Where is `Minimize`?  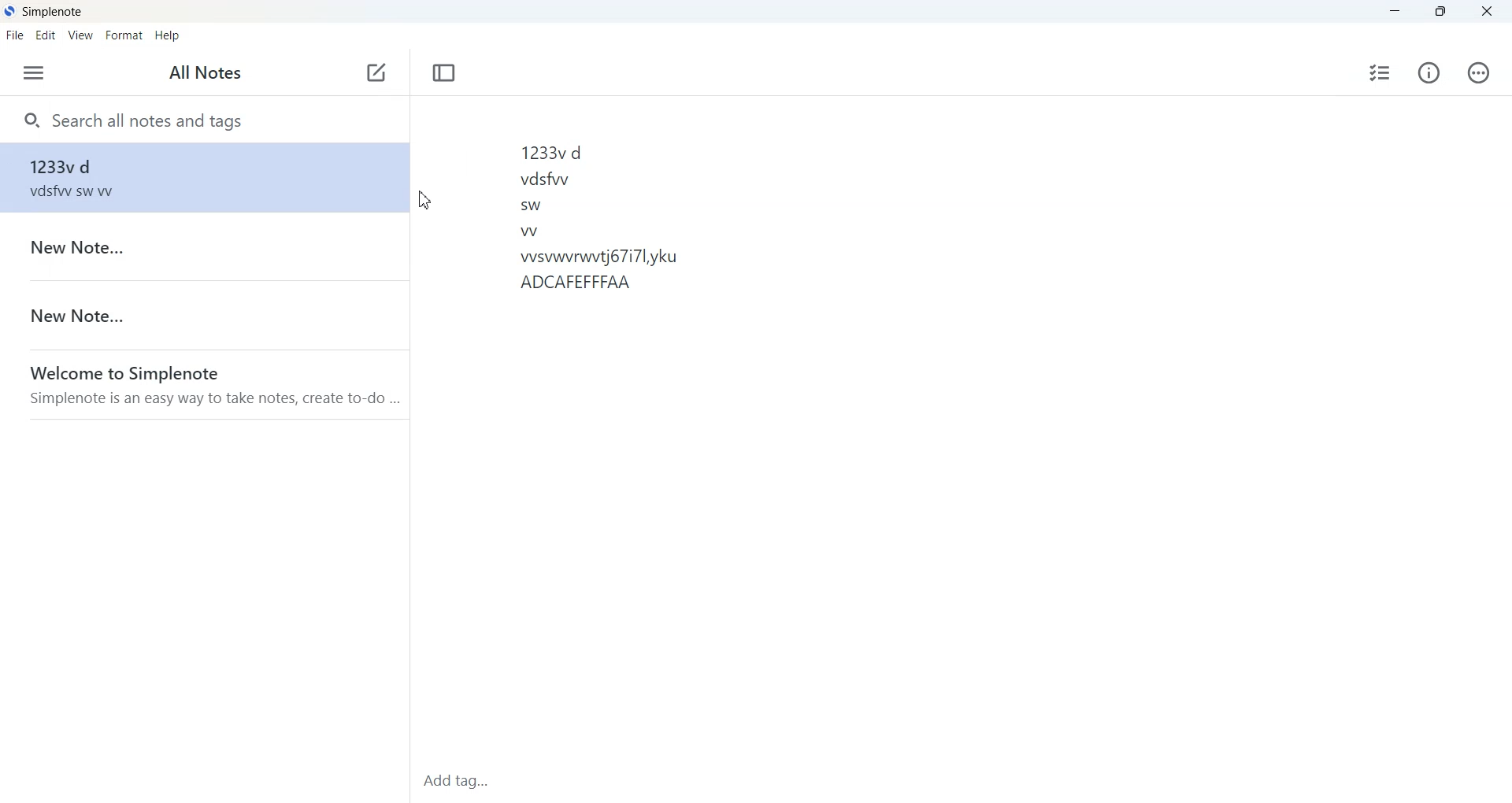 Minimize is located at coordinates (1395, 12).